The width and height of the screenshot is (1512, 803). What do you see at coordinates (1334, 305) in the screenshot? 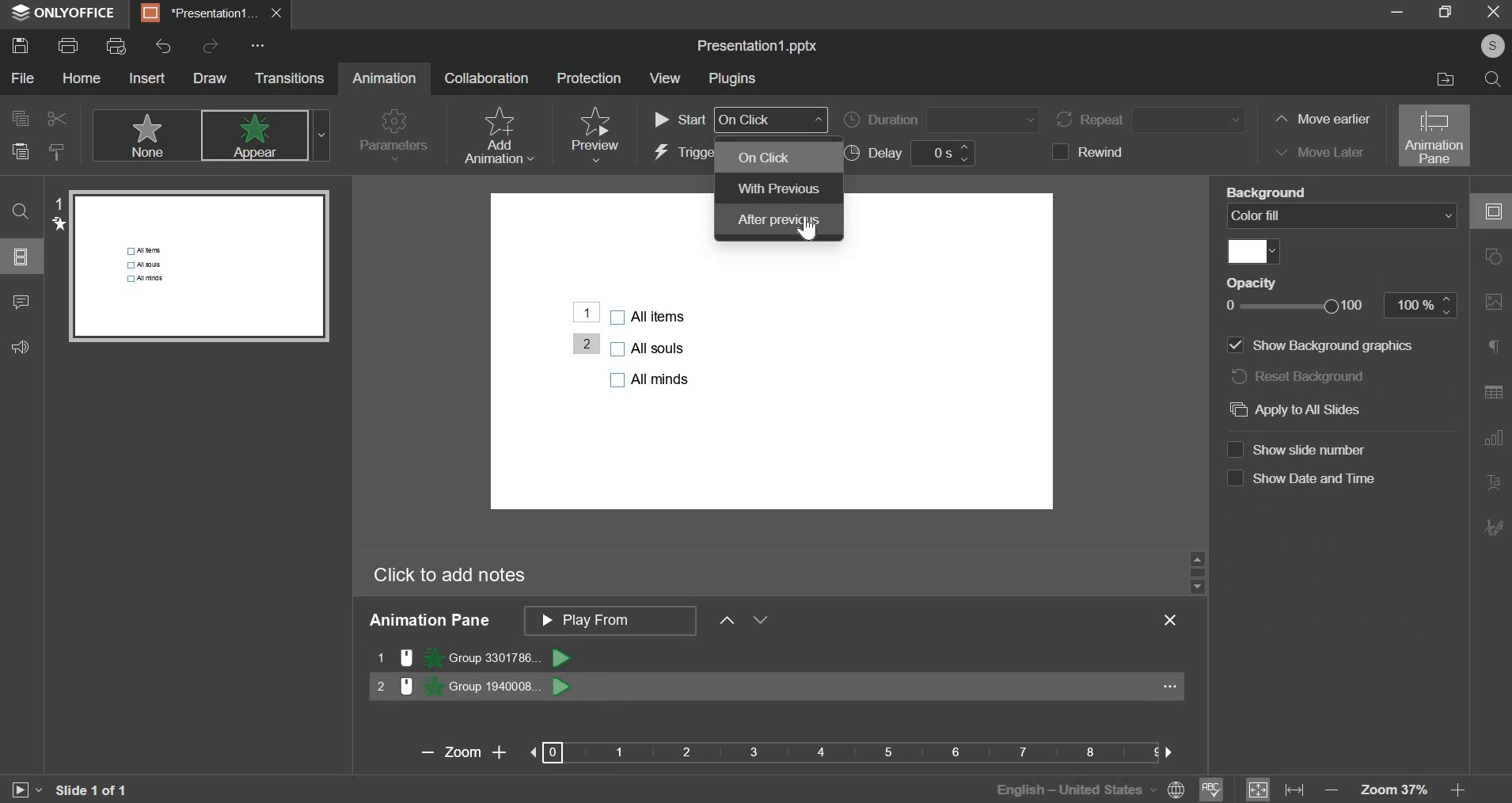
I see `opacity slider` at bounding box center [1334, 305].